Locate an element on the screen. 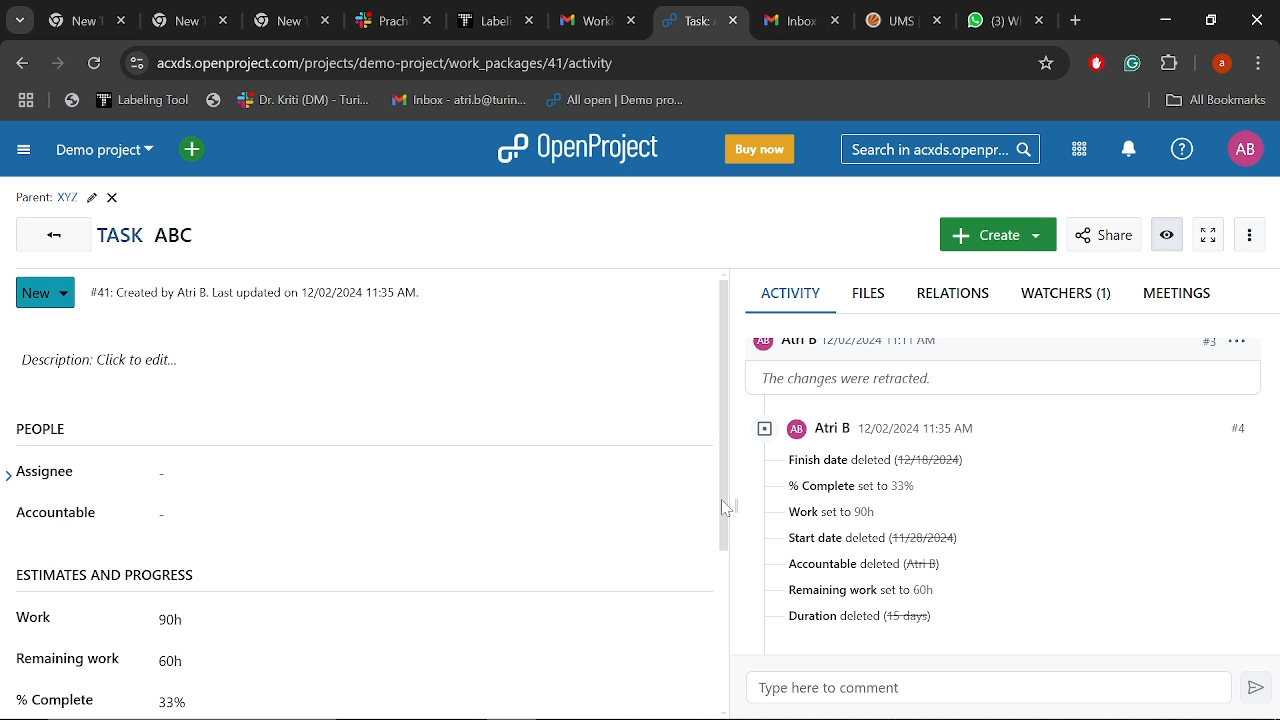 The width and height of the screenshot is (1280, 720). Total work is located at coordinates (409, 618).